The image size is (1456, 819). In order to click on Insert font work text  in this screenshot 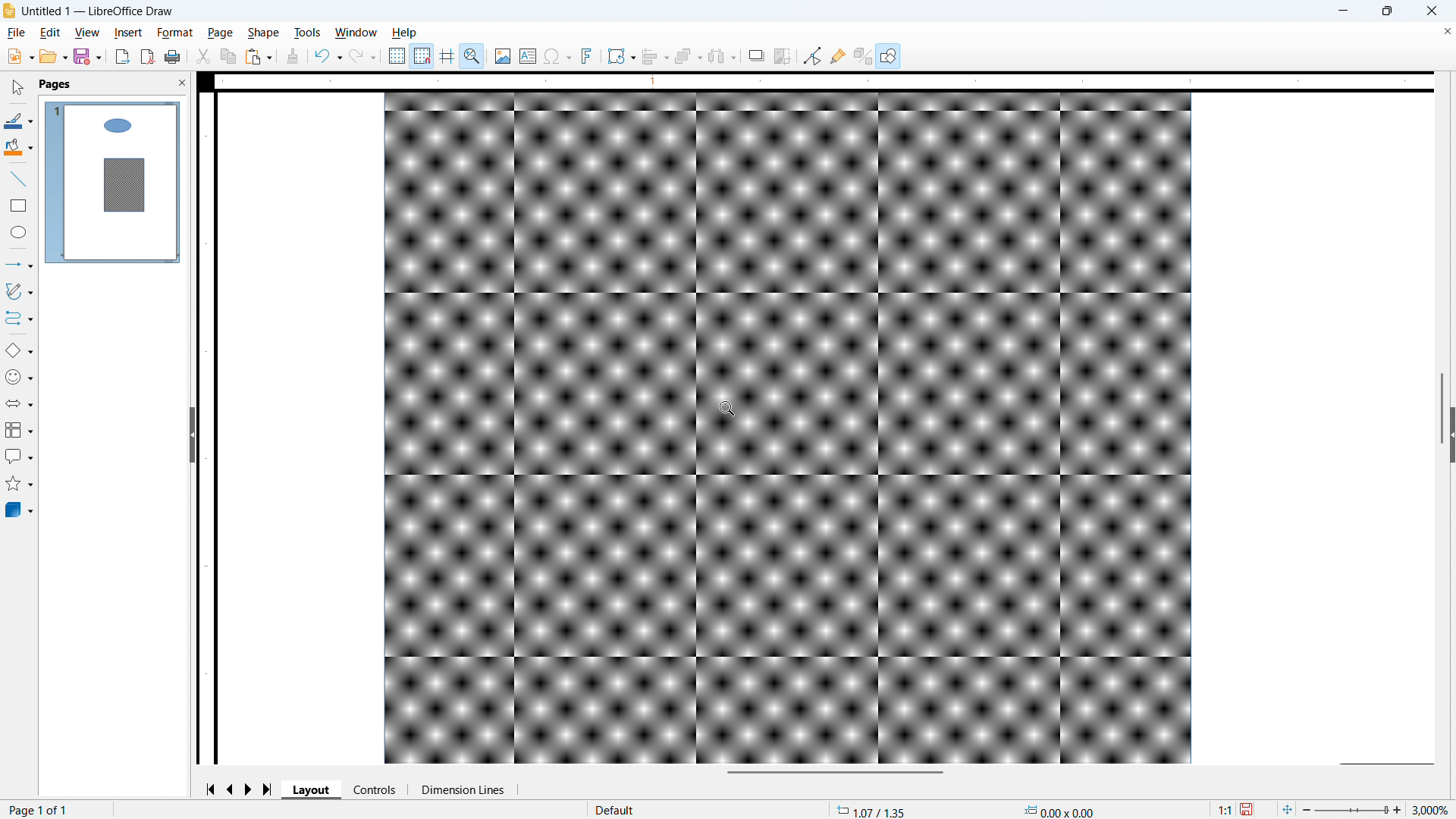, I will do `click(588, 55)`.